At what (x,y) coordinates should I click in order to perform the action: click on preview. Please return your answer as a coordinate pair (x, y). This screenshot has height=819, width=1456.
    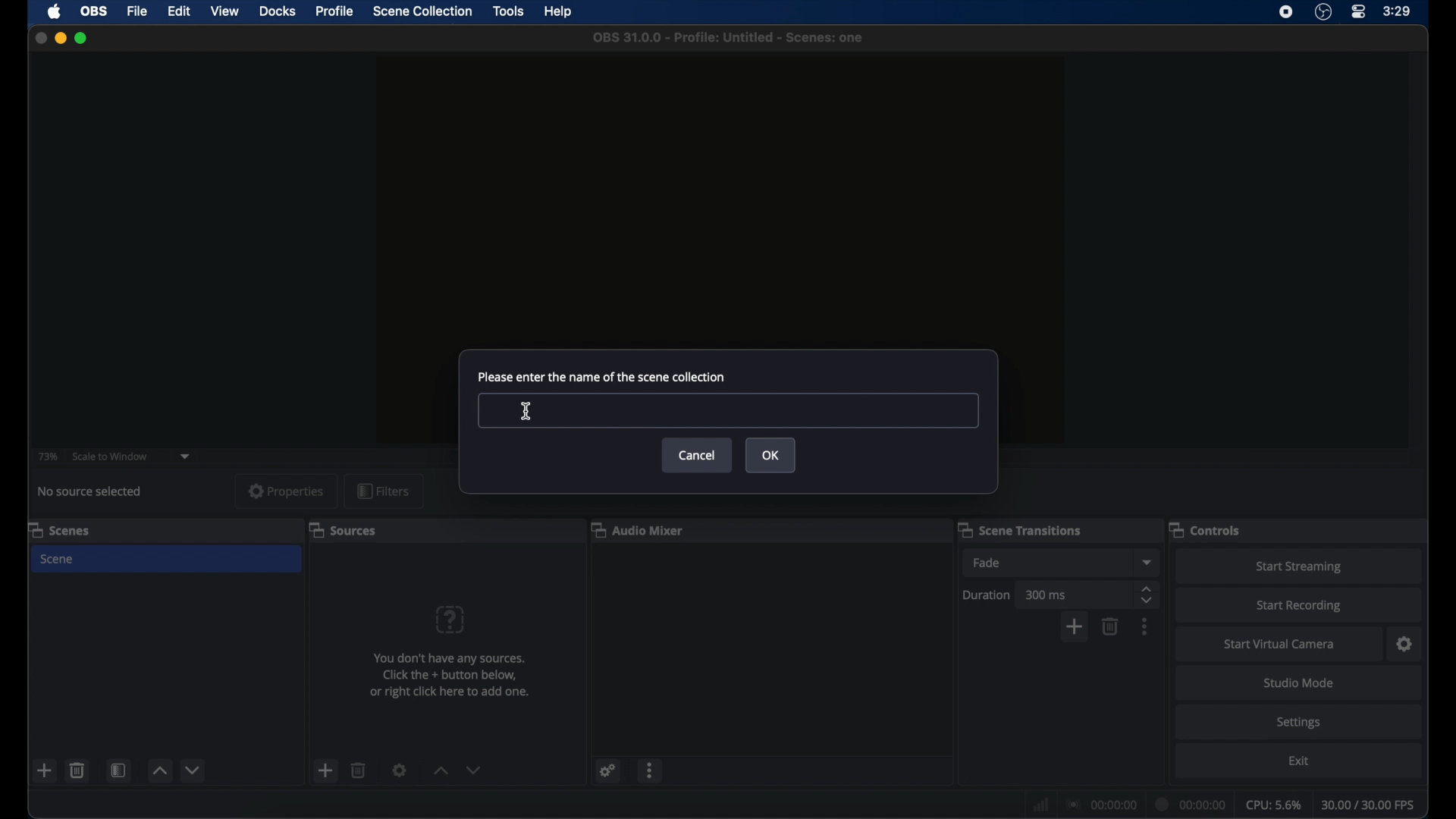
    Looking at the image, I should click on (721, 192).